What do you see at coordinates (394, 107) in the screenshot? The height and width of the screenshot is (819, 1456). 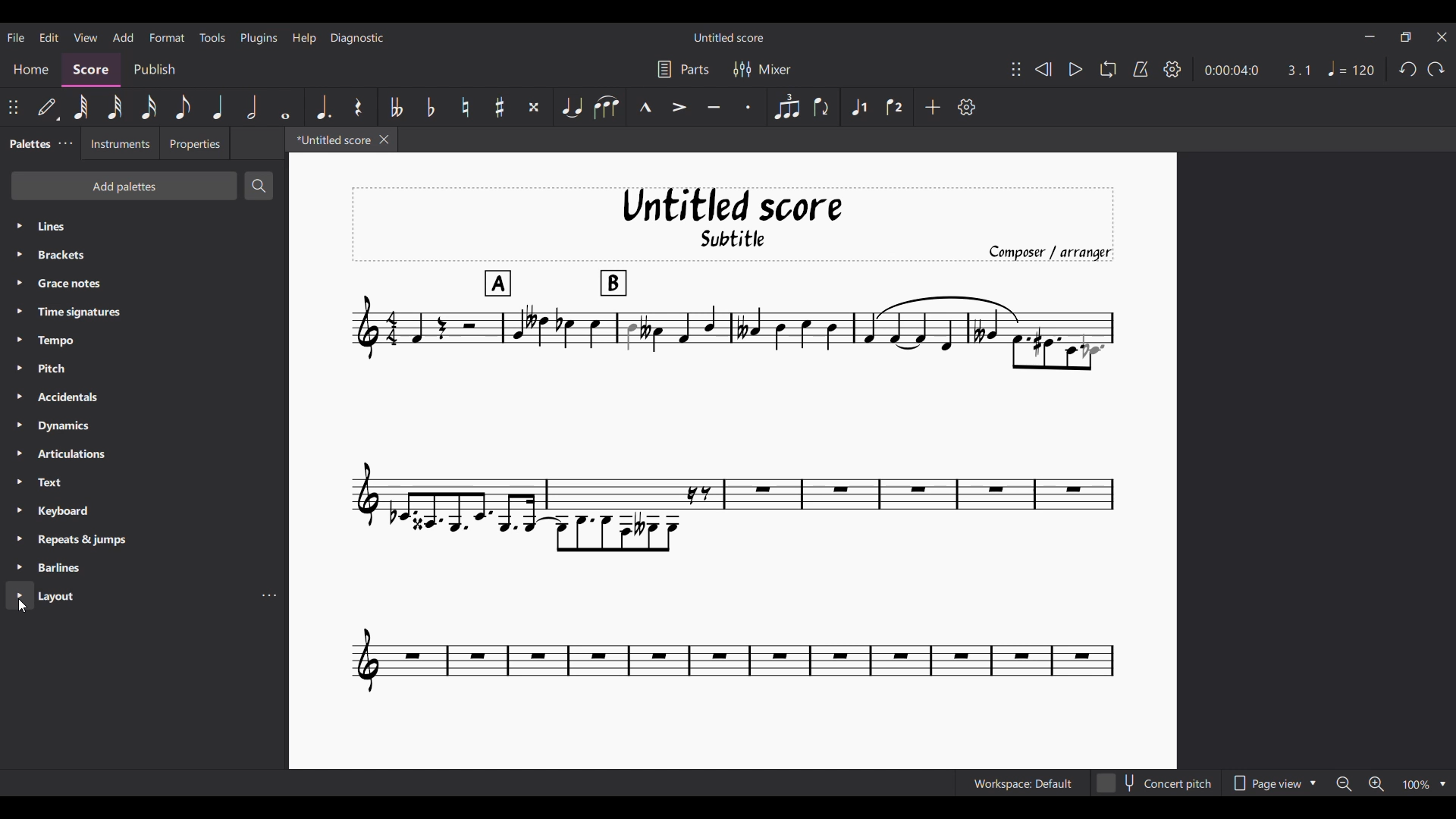 I see `Toggle double flat` at bounding box center [394, 107].